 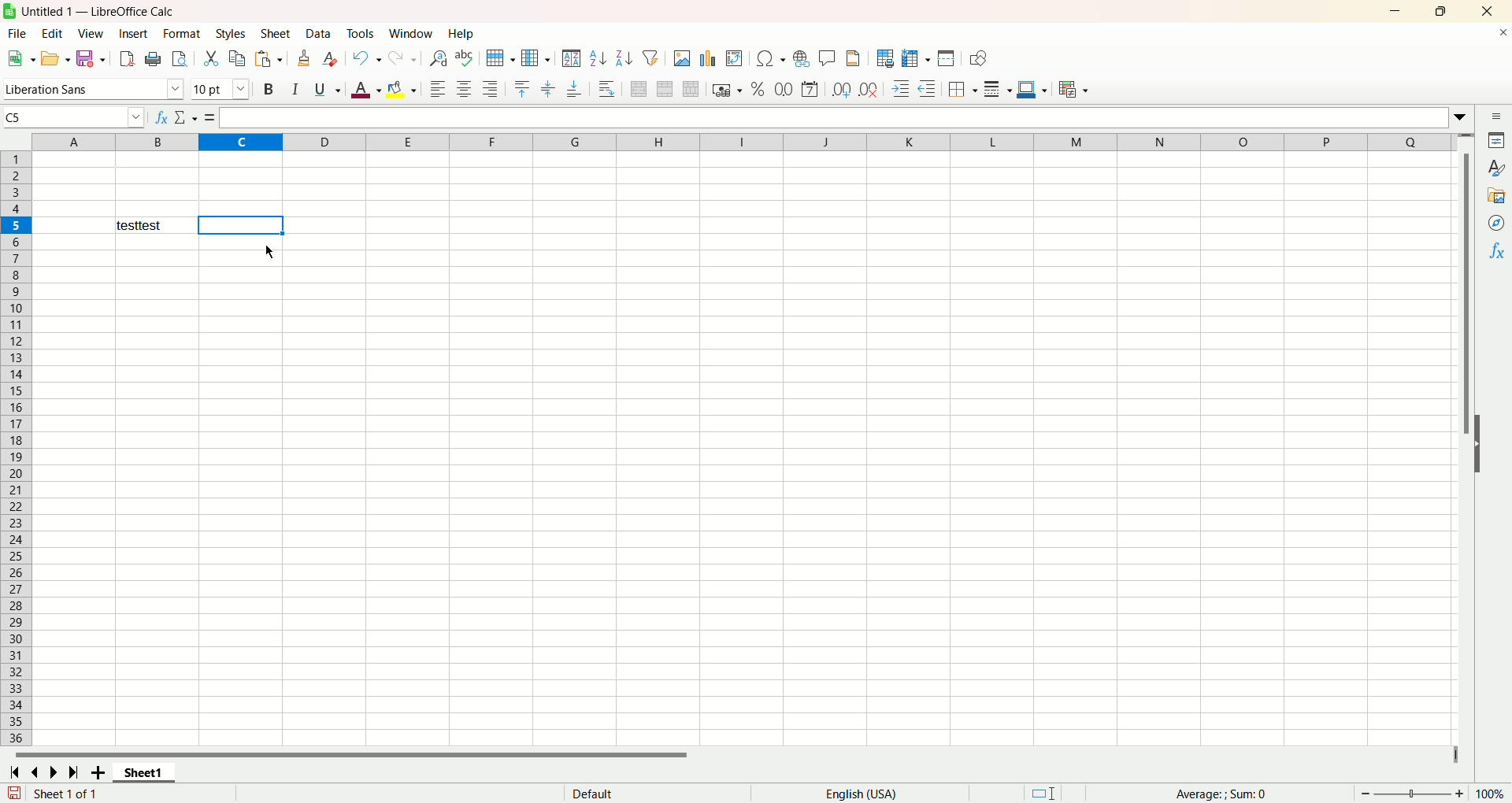 I want to click on cut, so click(x=210, y=58).